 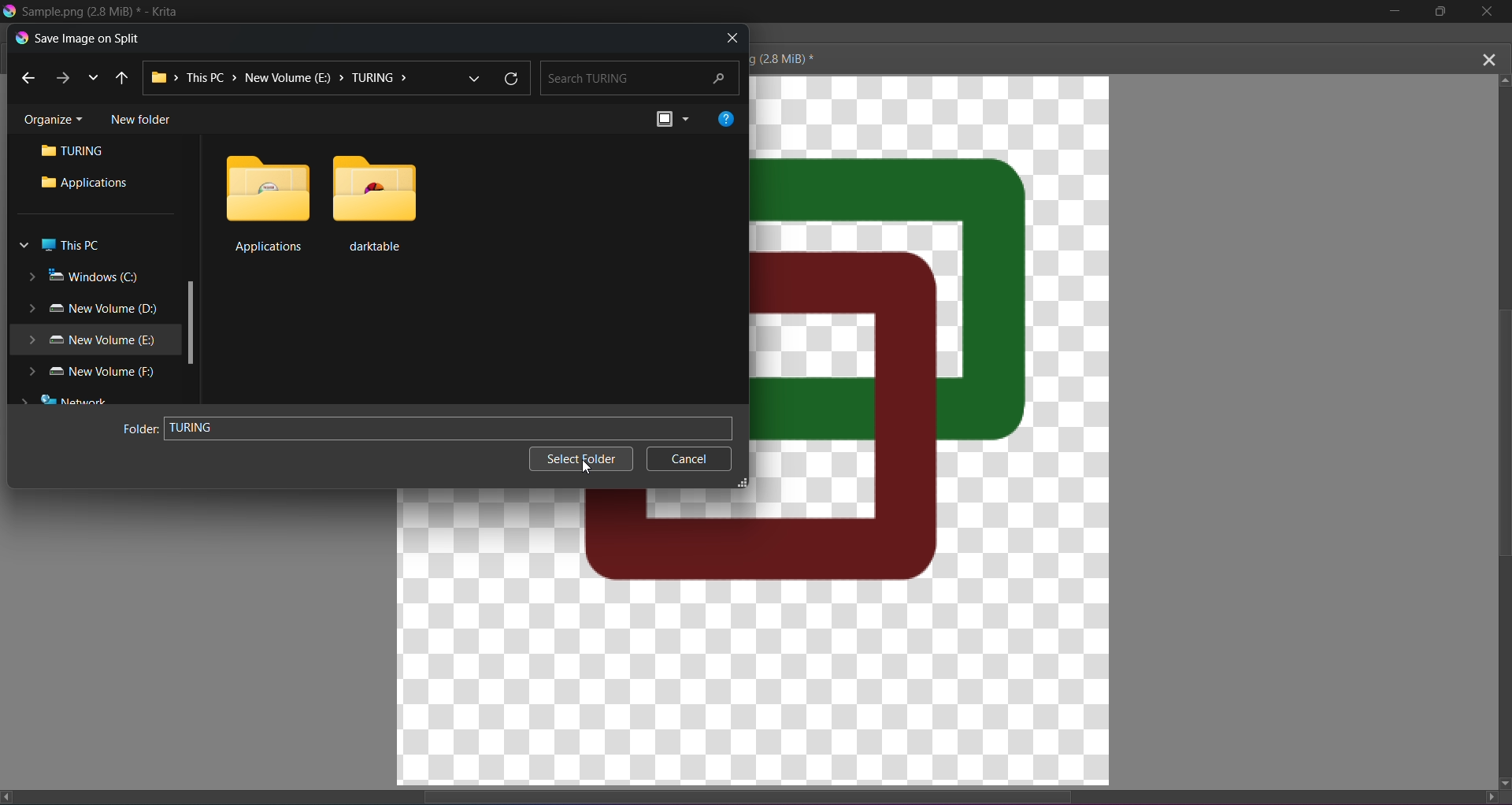 I want to click on Logo, so click(x=9, y=10).